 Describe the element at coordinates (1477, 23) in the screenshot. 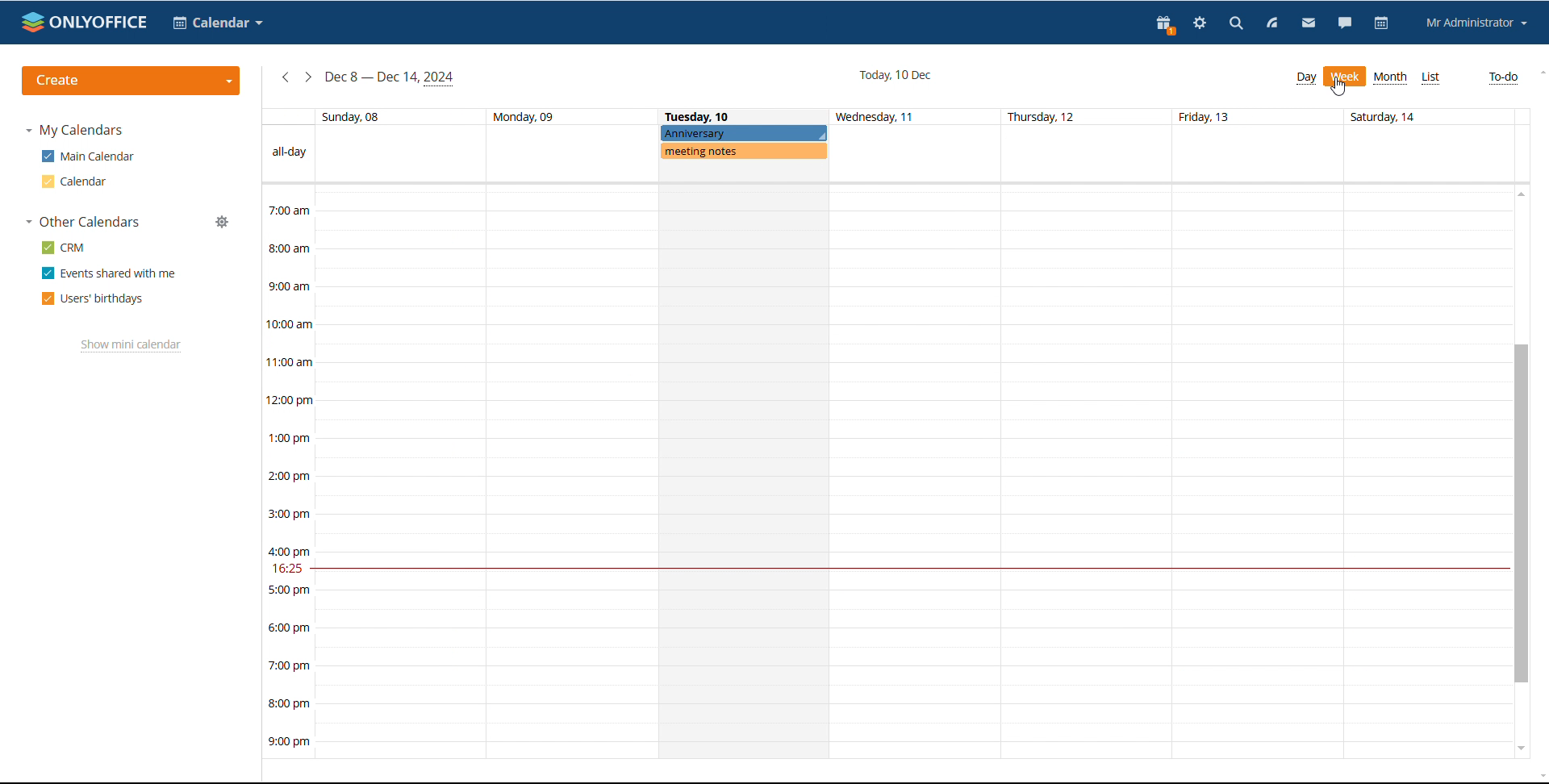

I see `profile` at that location.